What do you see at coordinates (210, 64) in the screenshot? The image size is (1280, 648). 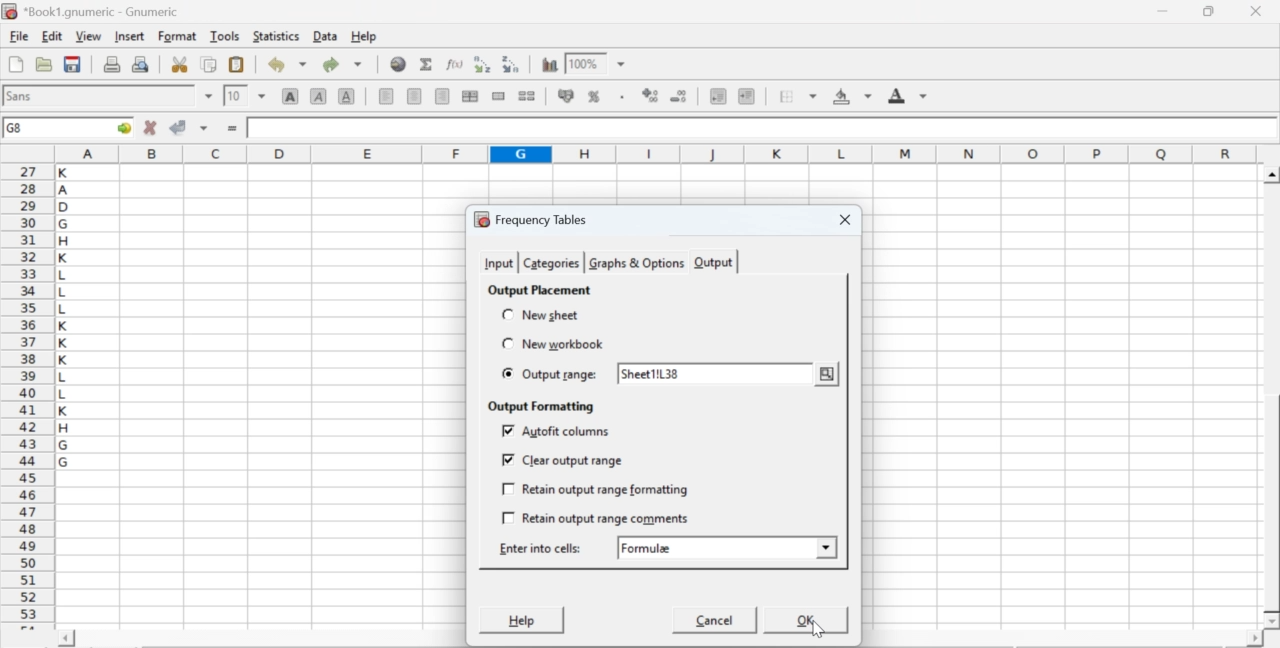 I see `copy` at bounding box center [210, 64].